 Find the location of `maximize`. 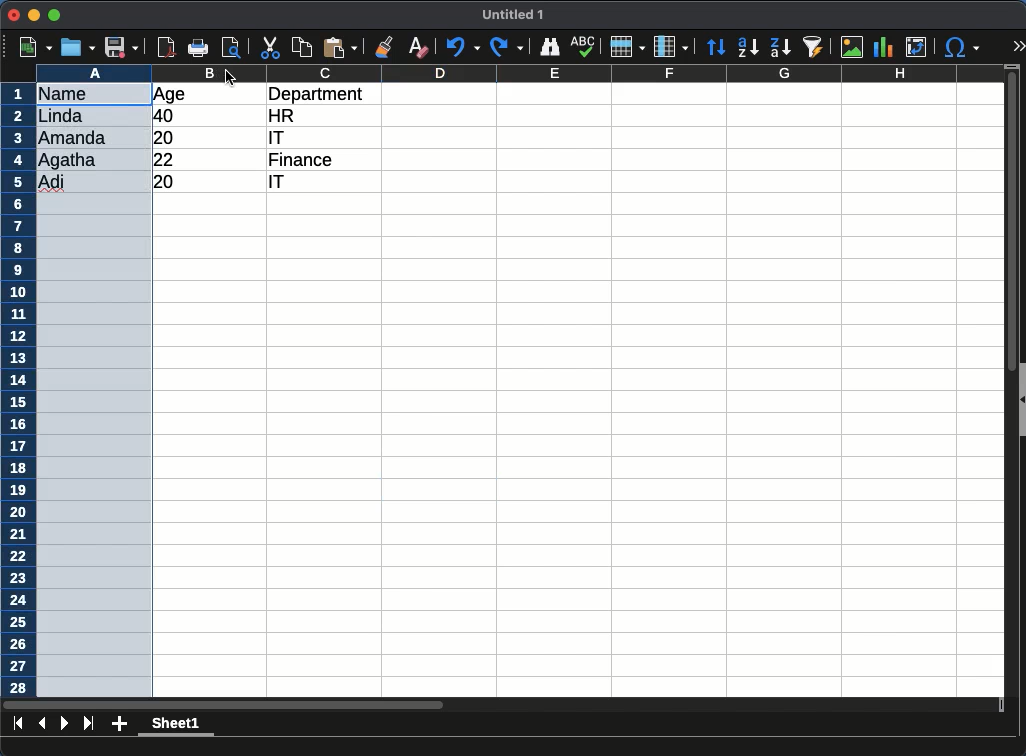

maximize is located at coordinates (56, 14).